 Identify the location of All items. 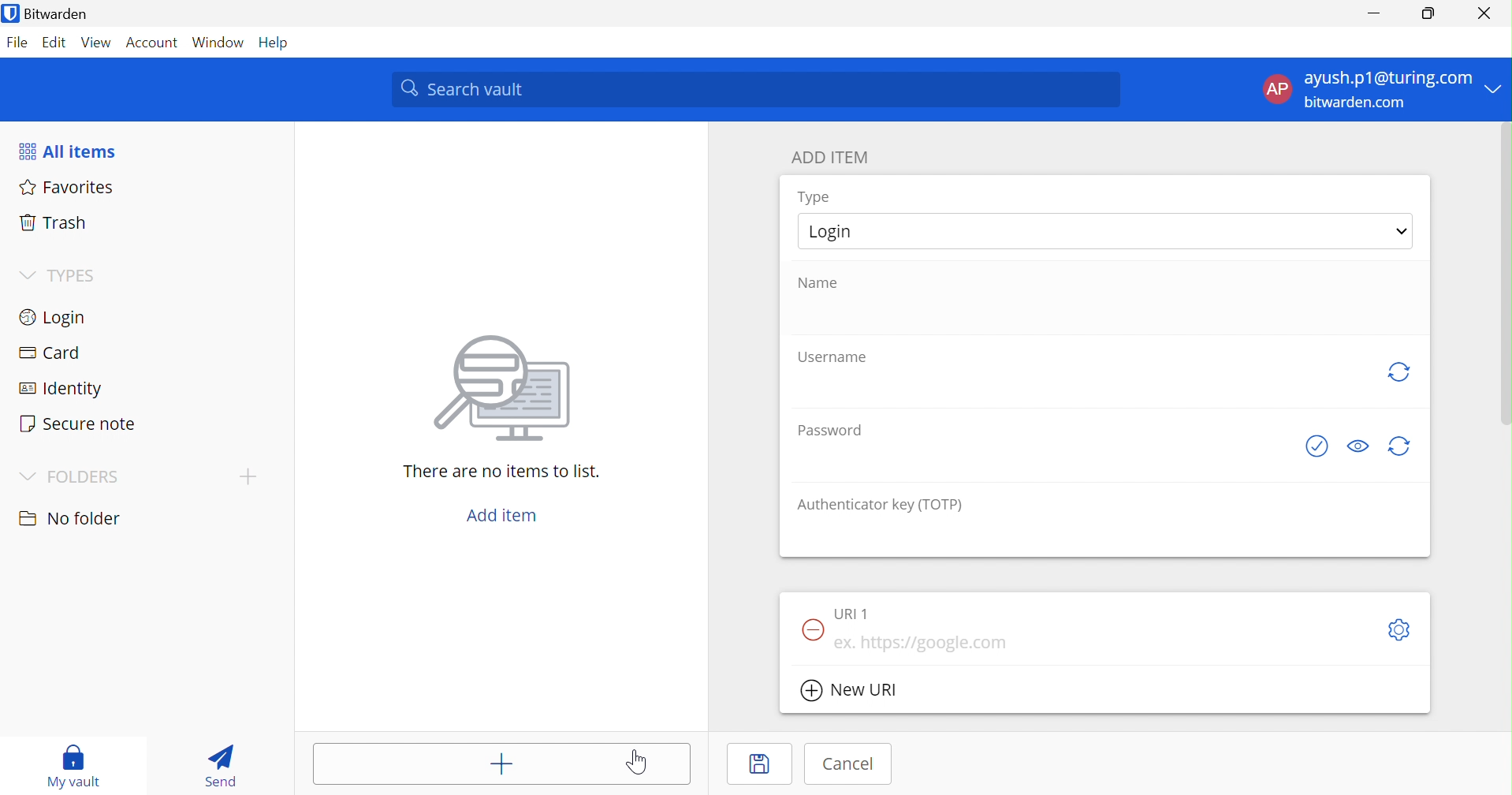
(70, 151).